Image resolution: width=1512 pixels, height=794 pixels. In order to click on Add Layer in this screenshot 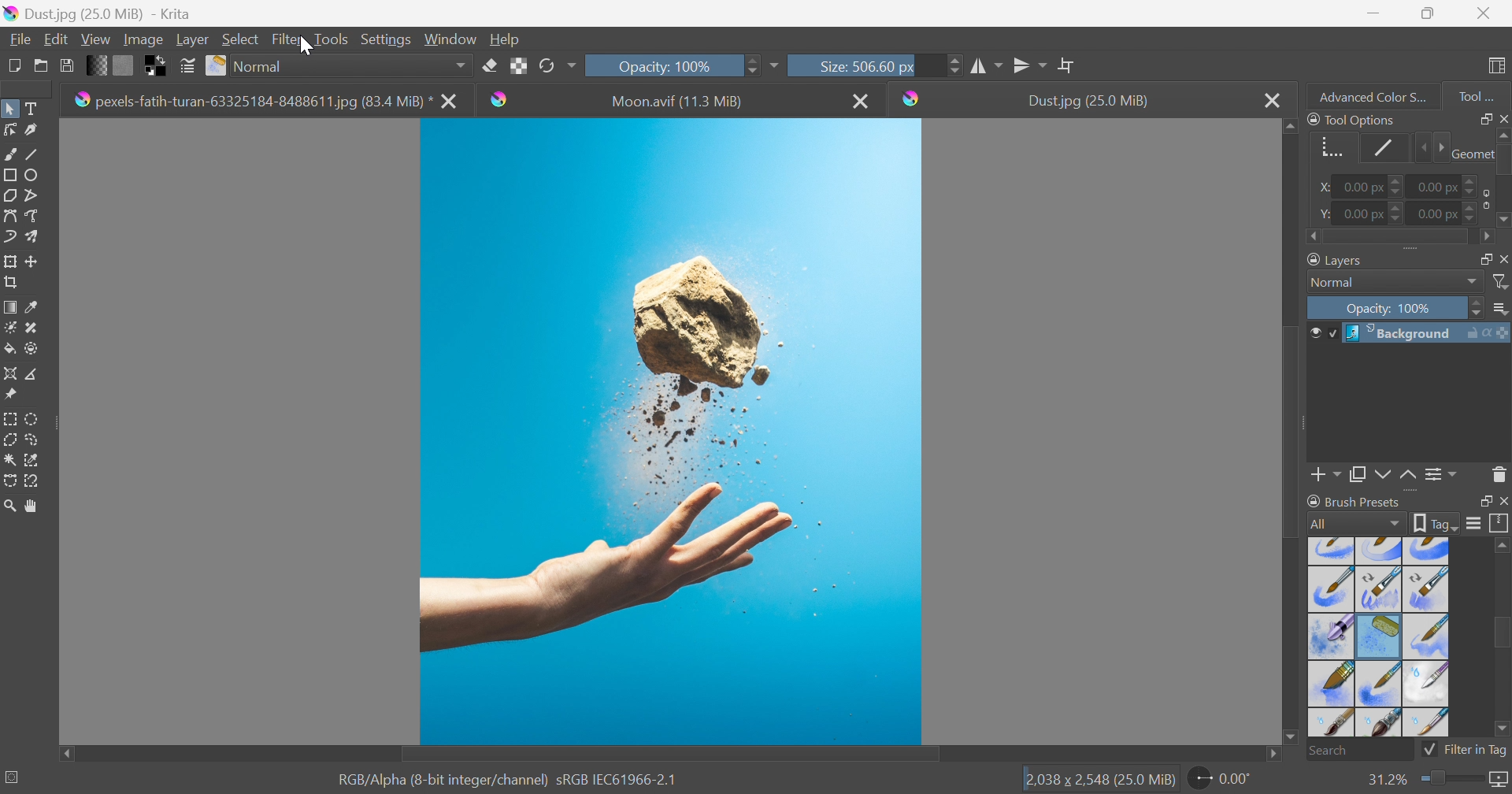, I will do `click(1326, 477)`.